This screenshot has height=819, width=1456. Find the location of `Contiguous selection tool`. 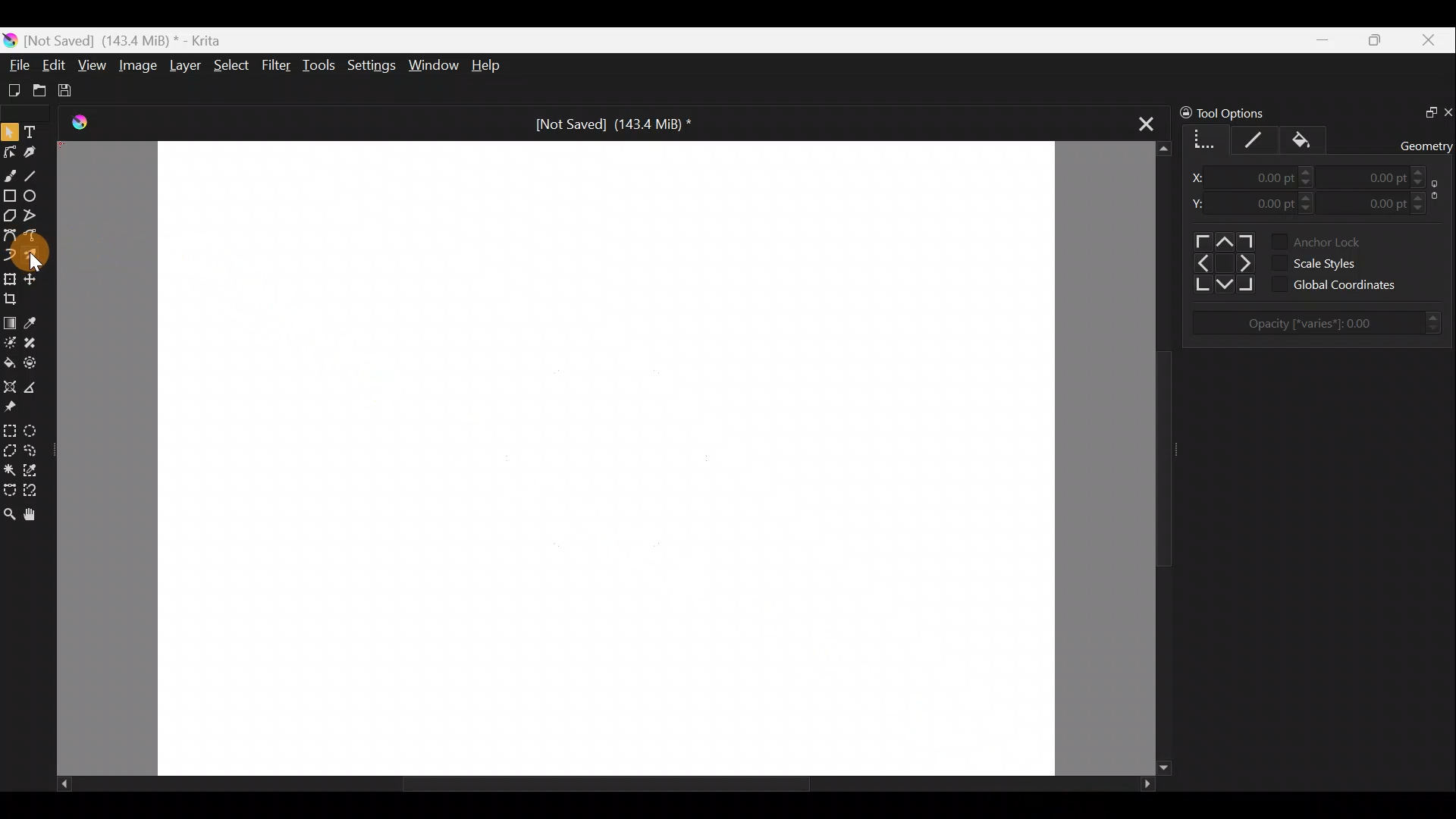

Contiguous selection tool is located at coordinates (9, 467).